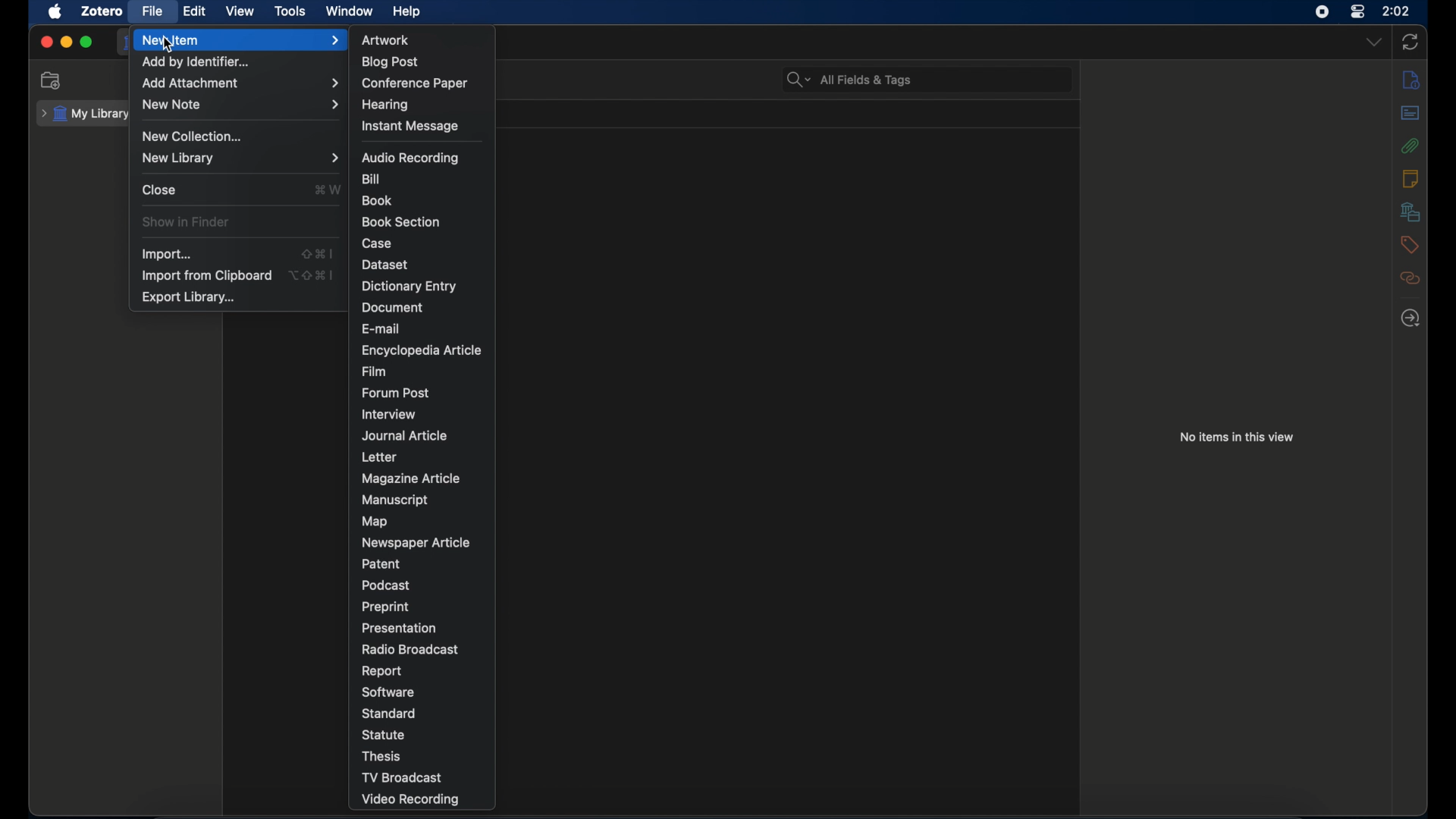 This screenshot has width=1456, height=819. What do you see at coordinates (416, 84) in the screenshot?
I see `conference paper` at bounding box center [416, 84].